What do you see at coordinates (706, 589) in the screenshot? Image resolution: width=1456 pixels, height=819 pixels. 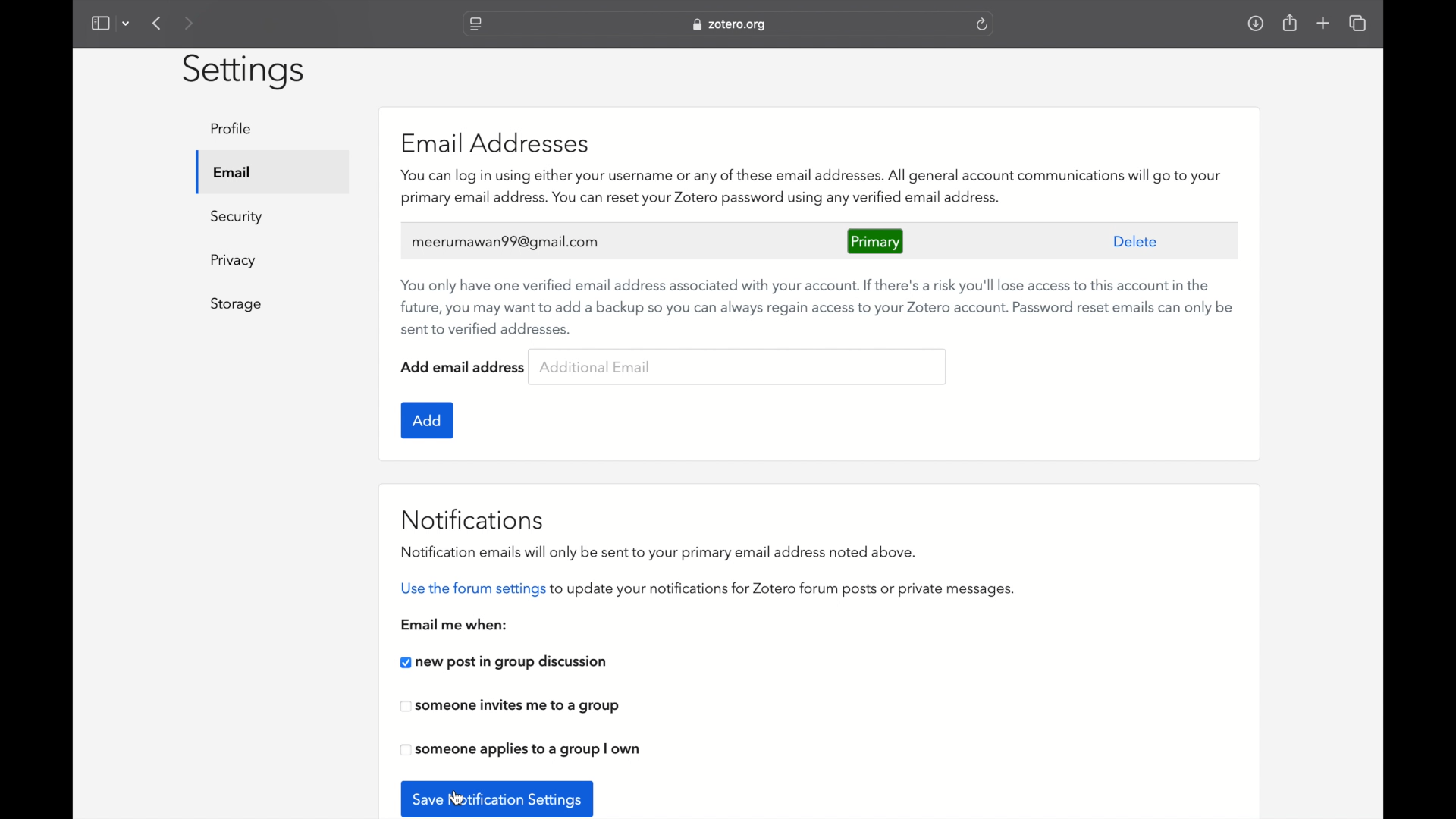 I see `use the forum settings to update your notifications for zotero forum posts or private messages` at bounding box center [706, 589].